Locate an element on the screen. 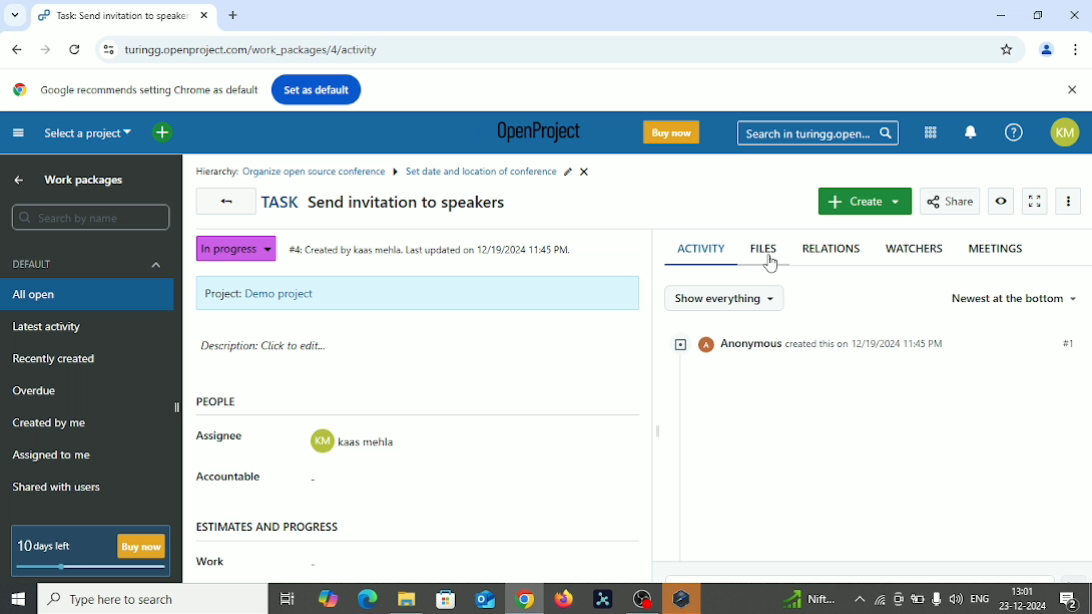 This screenshot has width=1092, height=614. Search is located at coordinates (818, 134).